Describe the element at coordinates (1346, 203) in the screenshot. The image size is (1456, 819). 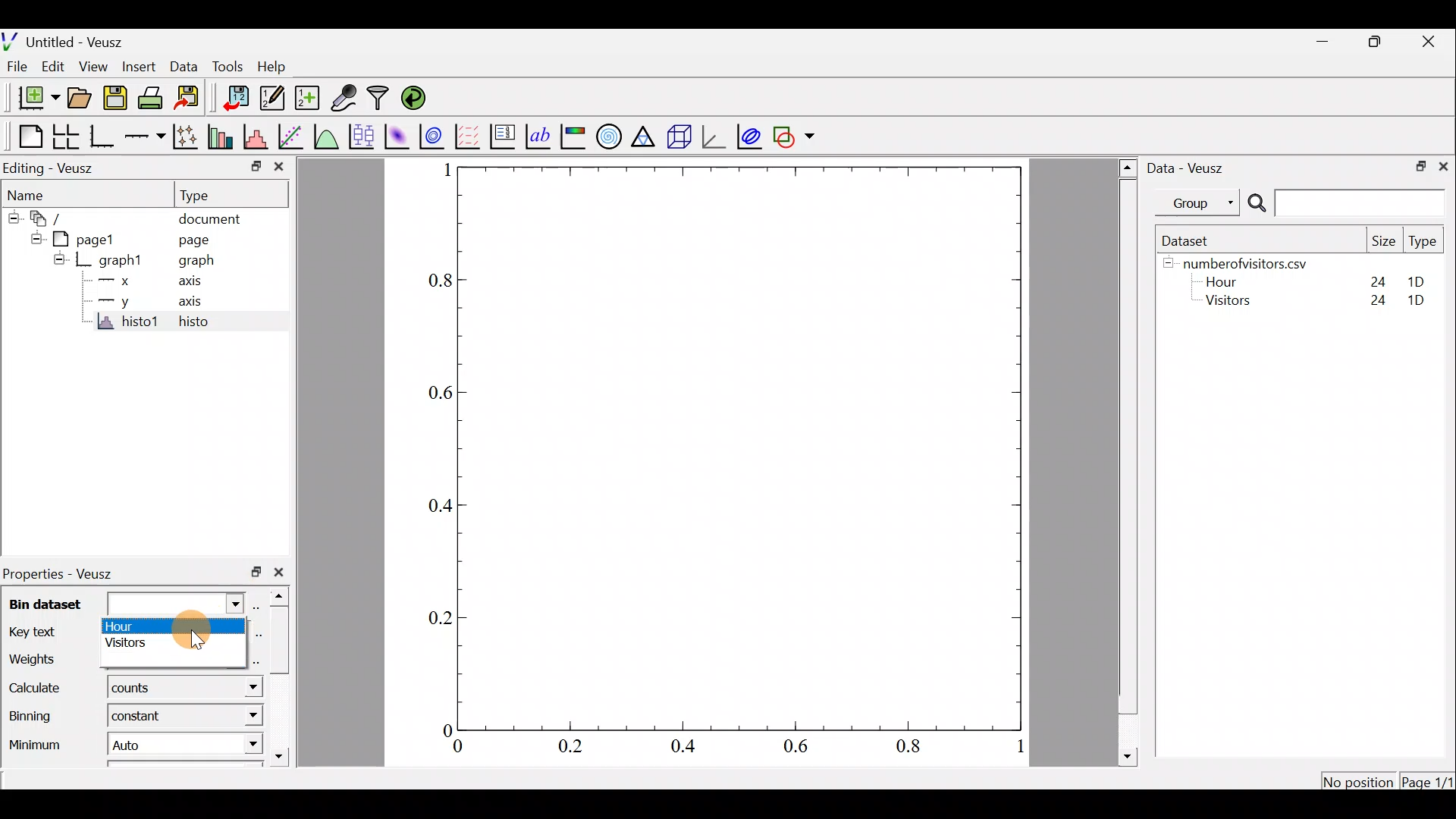
I see `Search bar` at that location.